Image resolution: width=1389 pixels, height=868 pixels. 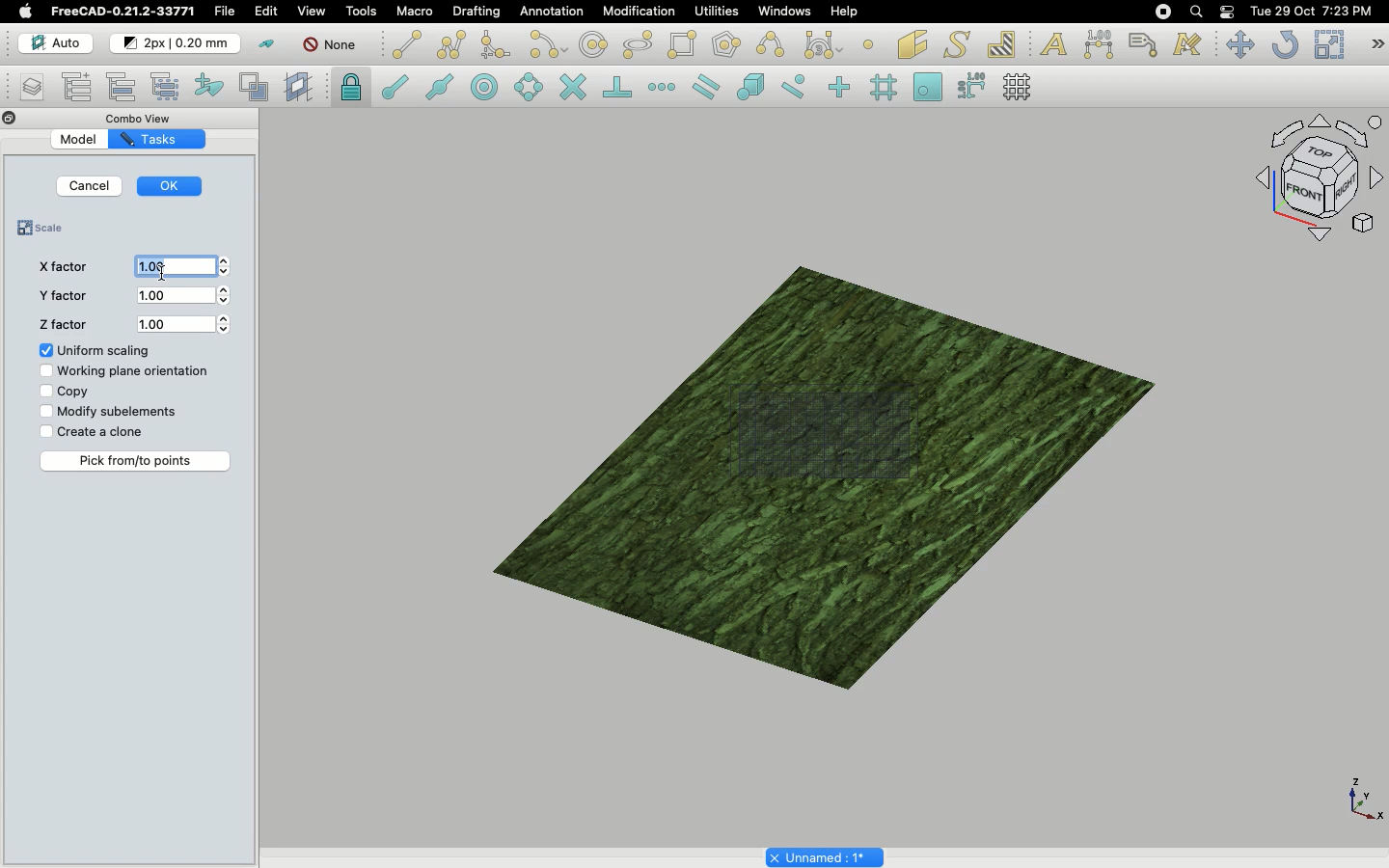 What do you see at coordinates (1144, 42) in the screenshot?
I see `Label` at bounding box center [1144, 42].